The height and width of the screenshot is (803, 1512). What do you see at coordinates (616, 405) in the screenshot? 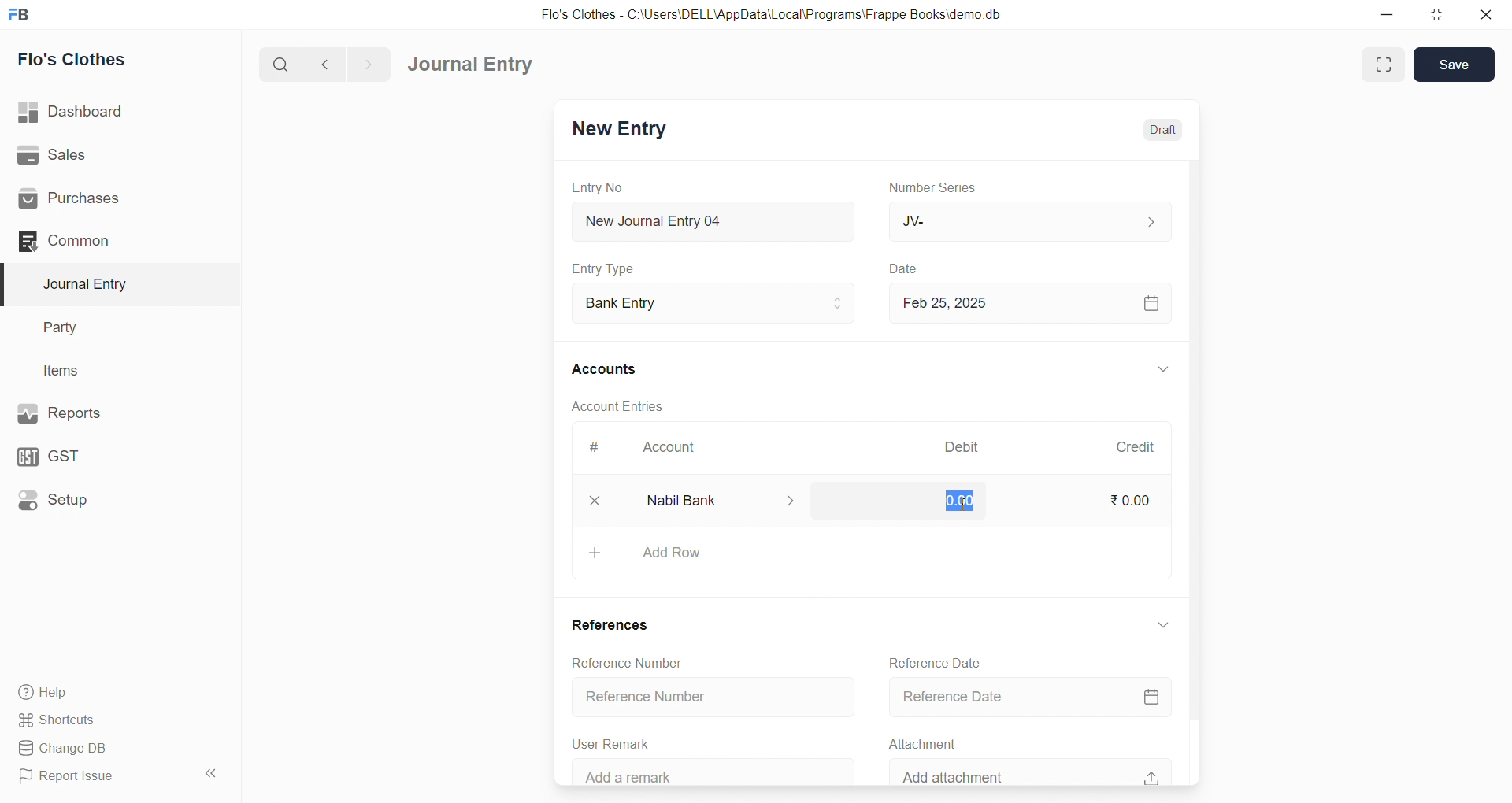
I see `Account Entries` at bounding box center [616, 405].